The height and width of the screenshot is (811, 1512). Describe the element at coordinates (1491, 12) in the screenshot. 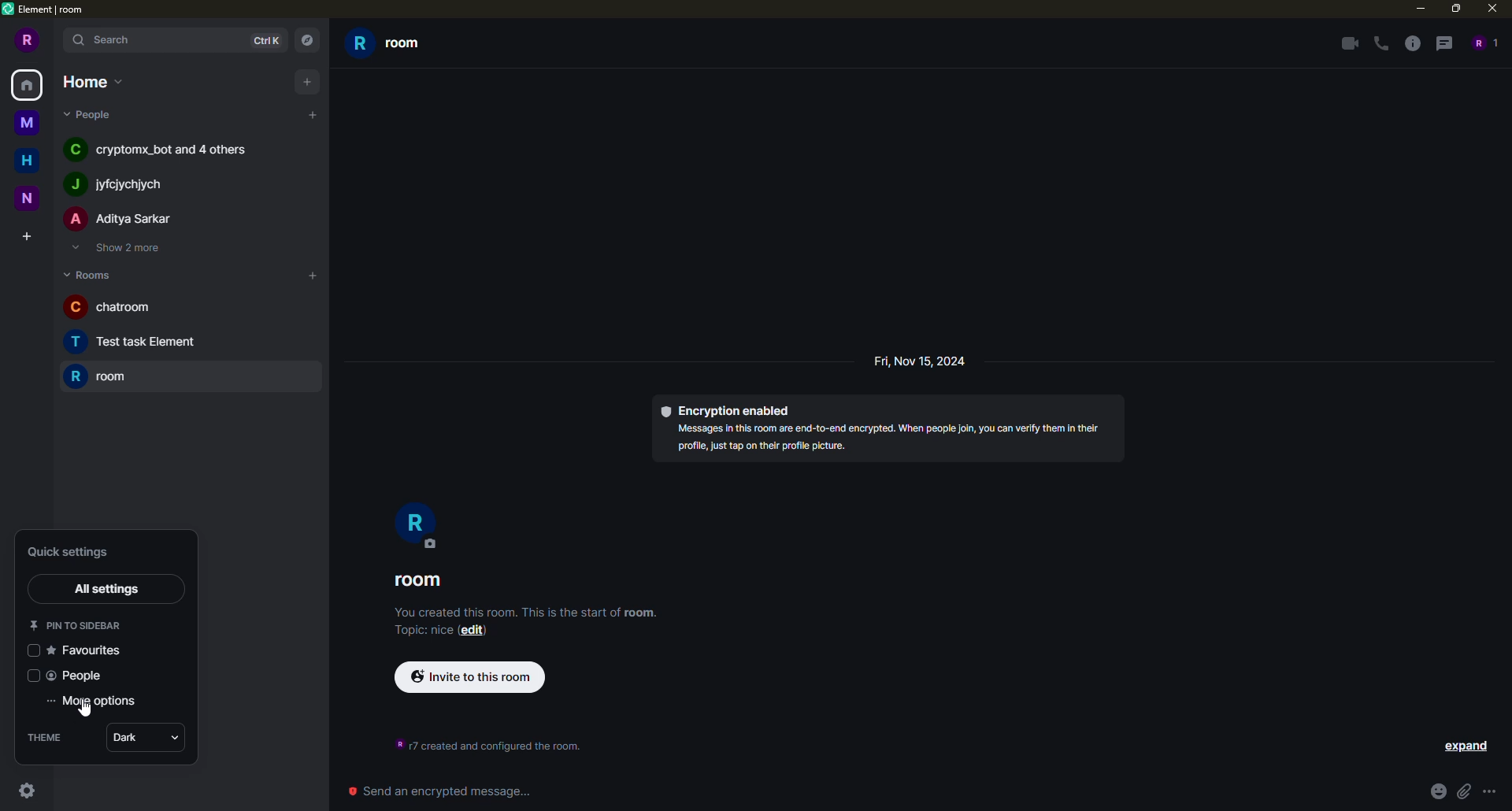

I see `close` at that location.